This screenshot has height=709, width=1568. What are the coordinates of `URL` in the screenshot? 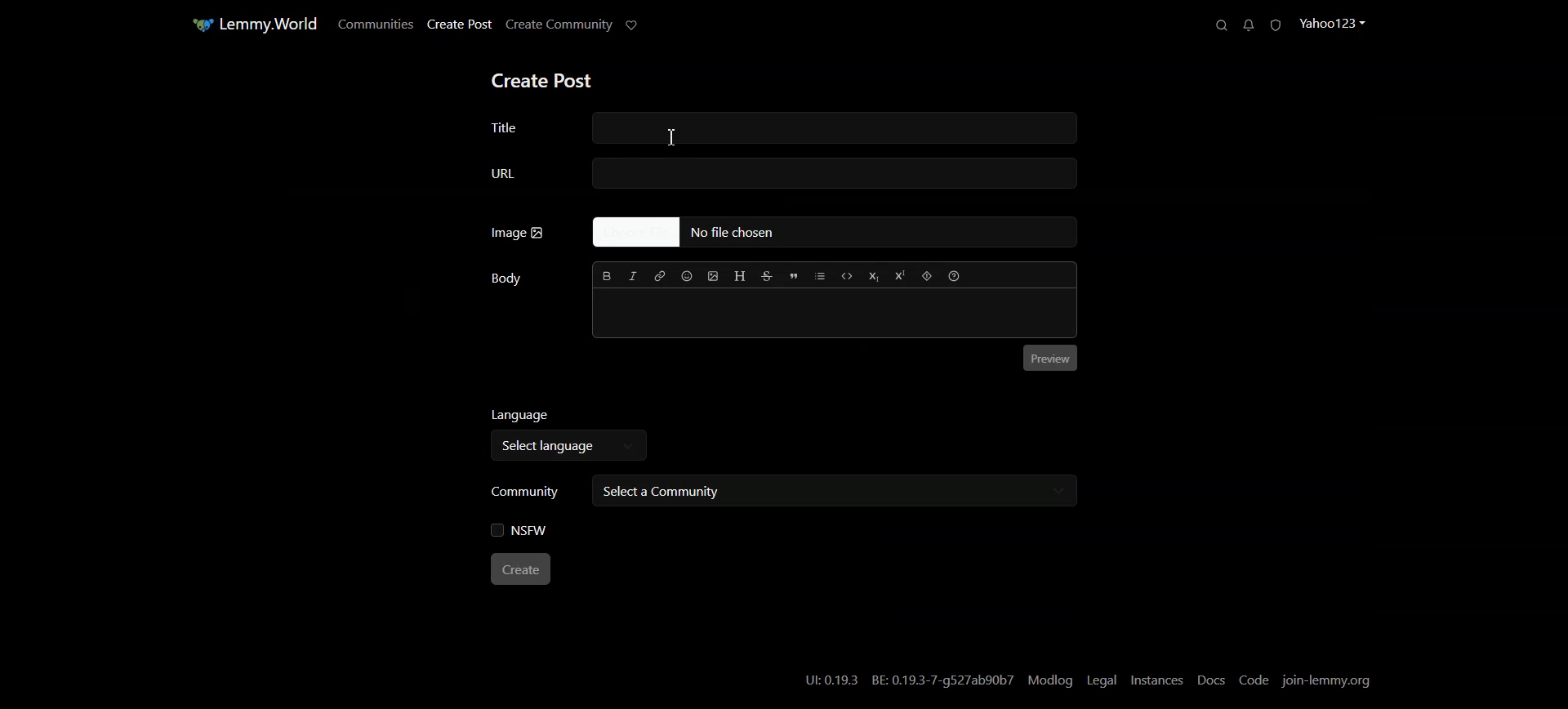 It's located at (780, 174).